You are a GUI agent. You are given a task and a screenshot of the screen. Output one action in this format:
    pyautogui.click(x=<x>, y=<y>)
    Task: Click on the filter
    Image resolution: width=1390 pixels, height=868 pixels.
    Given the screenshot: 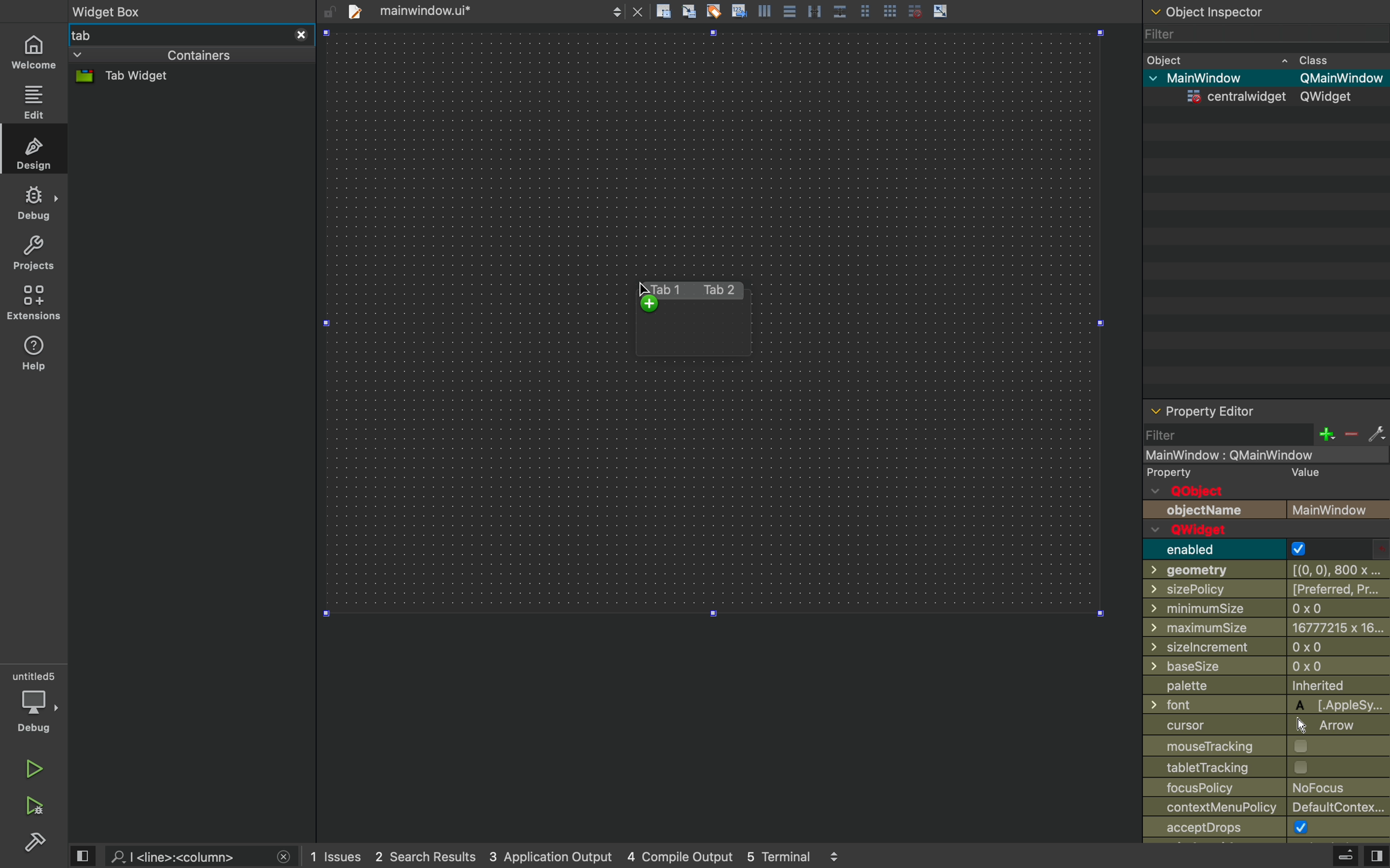 What is the action you would take?
    pyautogui.click(x=1172, y=436)
    